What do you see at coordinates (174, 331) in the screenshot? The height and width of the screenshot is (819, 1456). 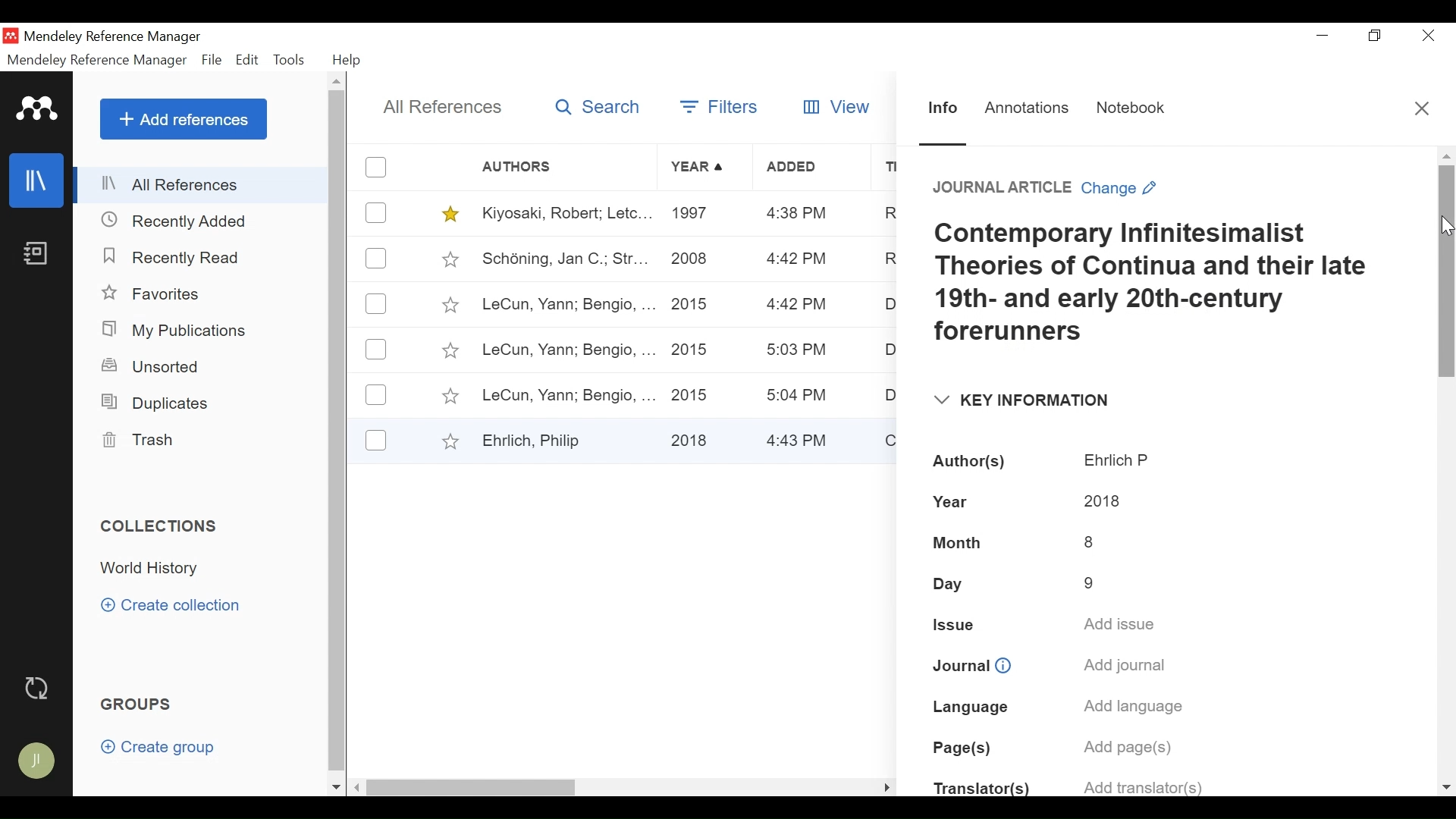 I see `My Publications` at bounding box center [174, 331].